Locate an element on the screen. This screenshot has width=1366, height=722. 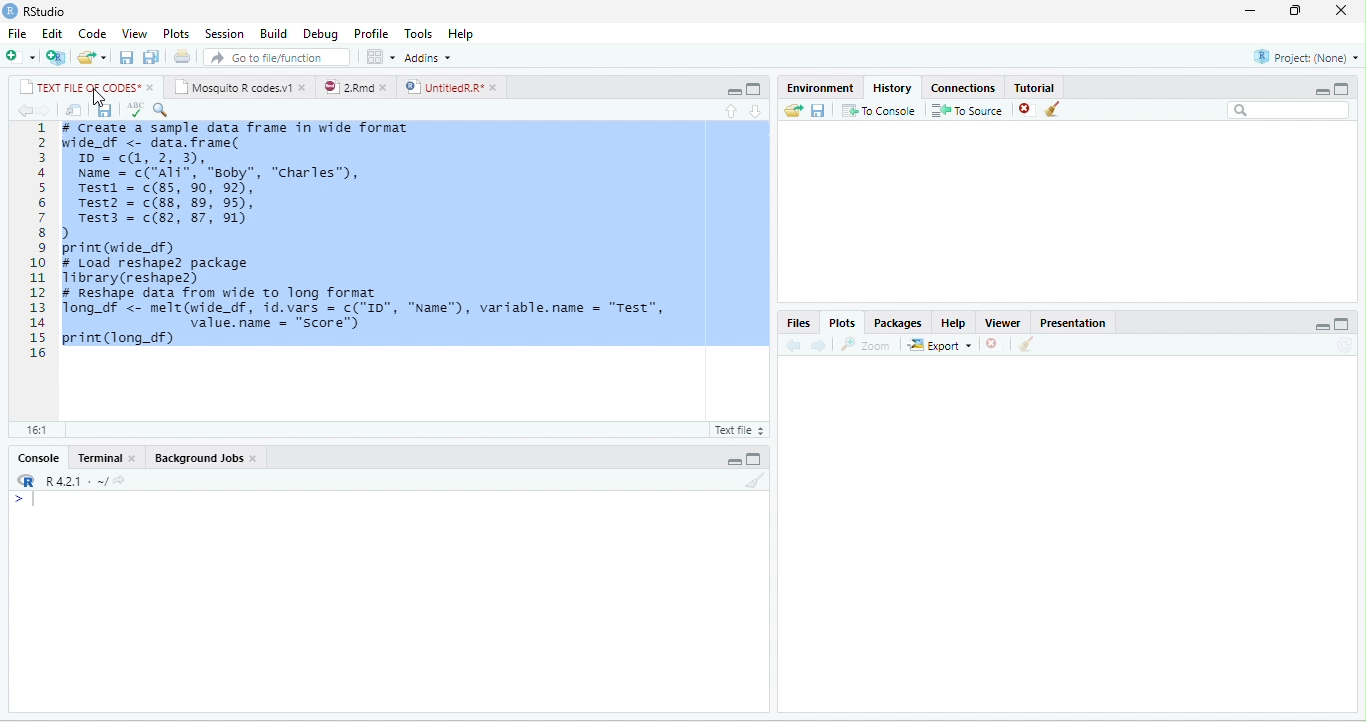
Terminal is located at coordinates (98, 457).